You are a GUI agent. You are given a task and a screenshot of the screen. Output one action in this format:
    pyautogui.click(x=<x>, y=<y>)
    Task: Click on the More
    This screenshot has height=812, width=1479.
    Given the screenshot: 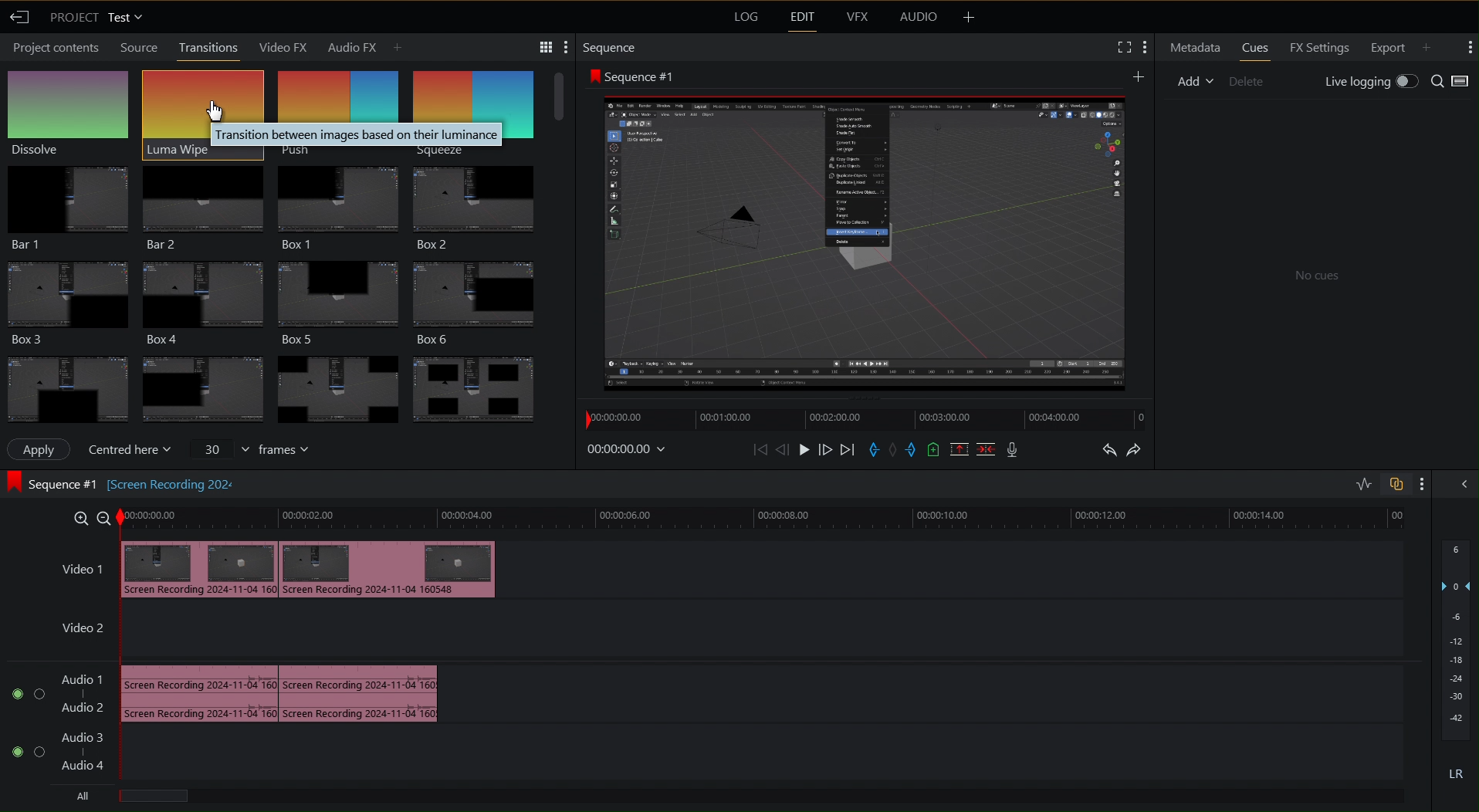 What is the action you would take?
    pyautogui.click(x=969, y=18)
    